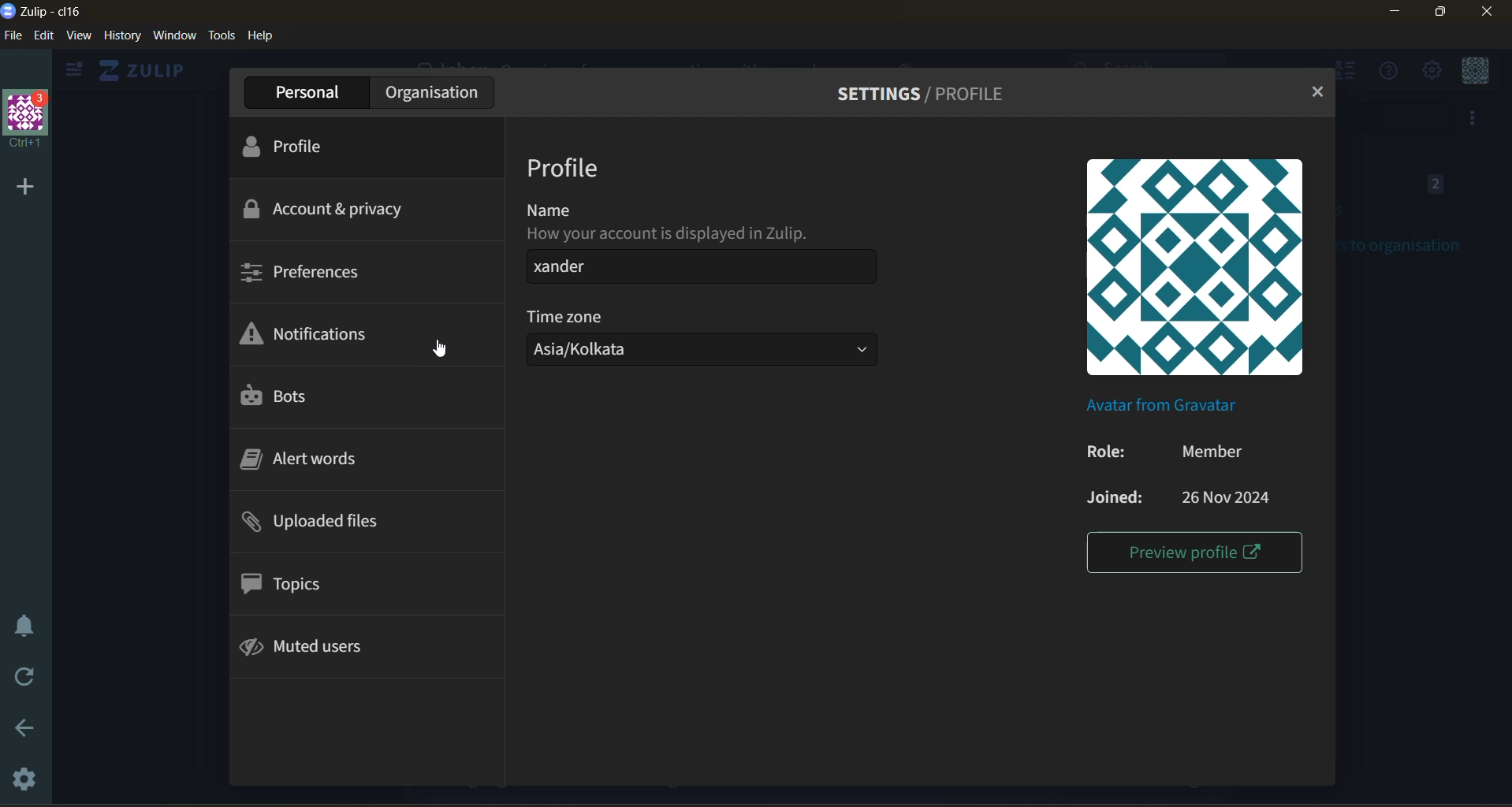  What do you see at coordinates (13, 35) in the screenshot?
I see `file` at bounding box center [13, 35].